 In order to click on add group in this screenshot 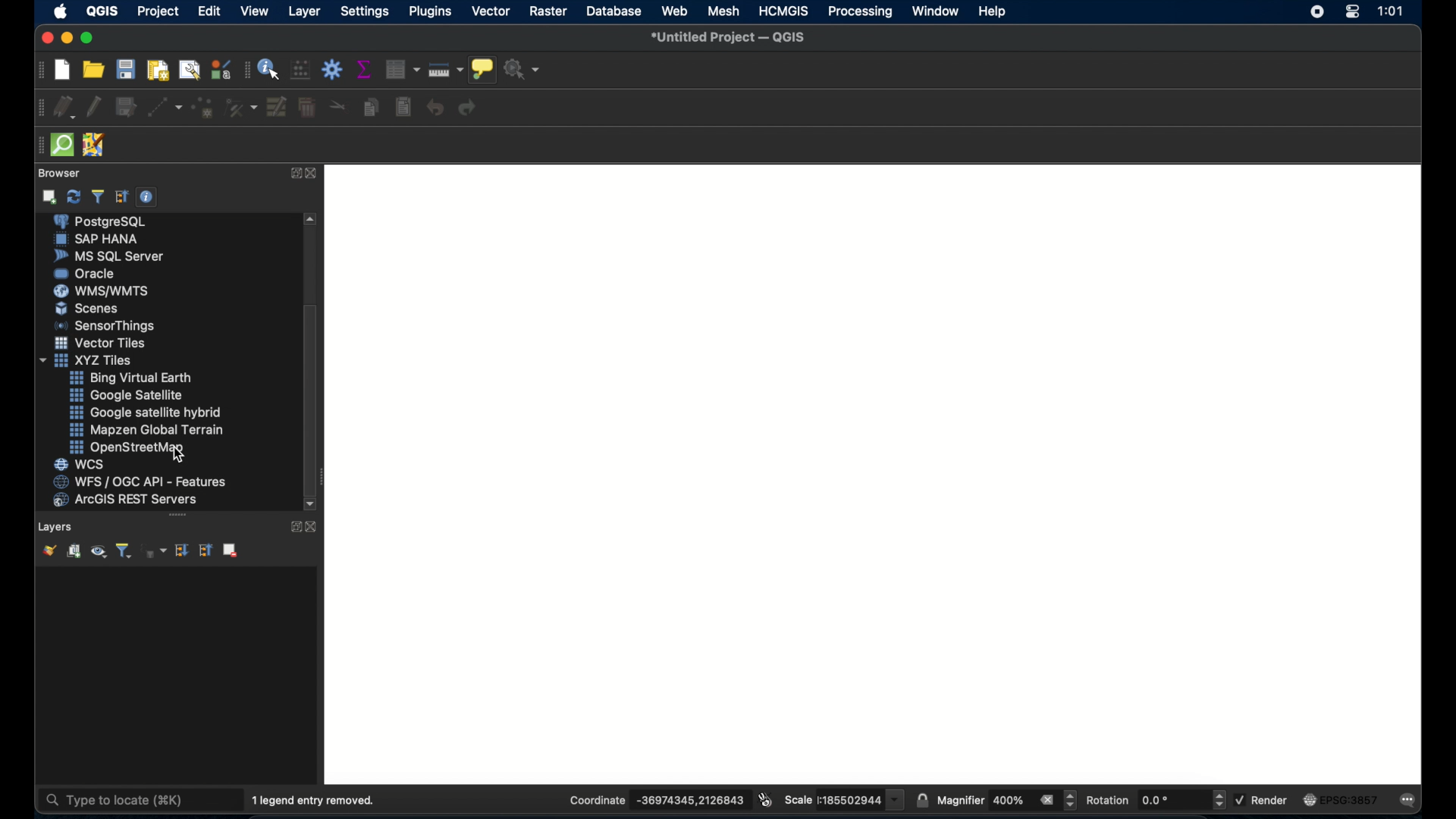, I will do `click(72, 551)`.